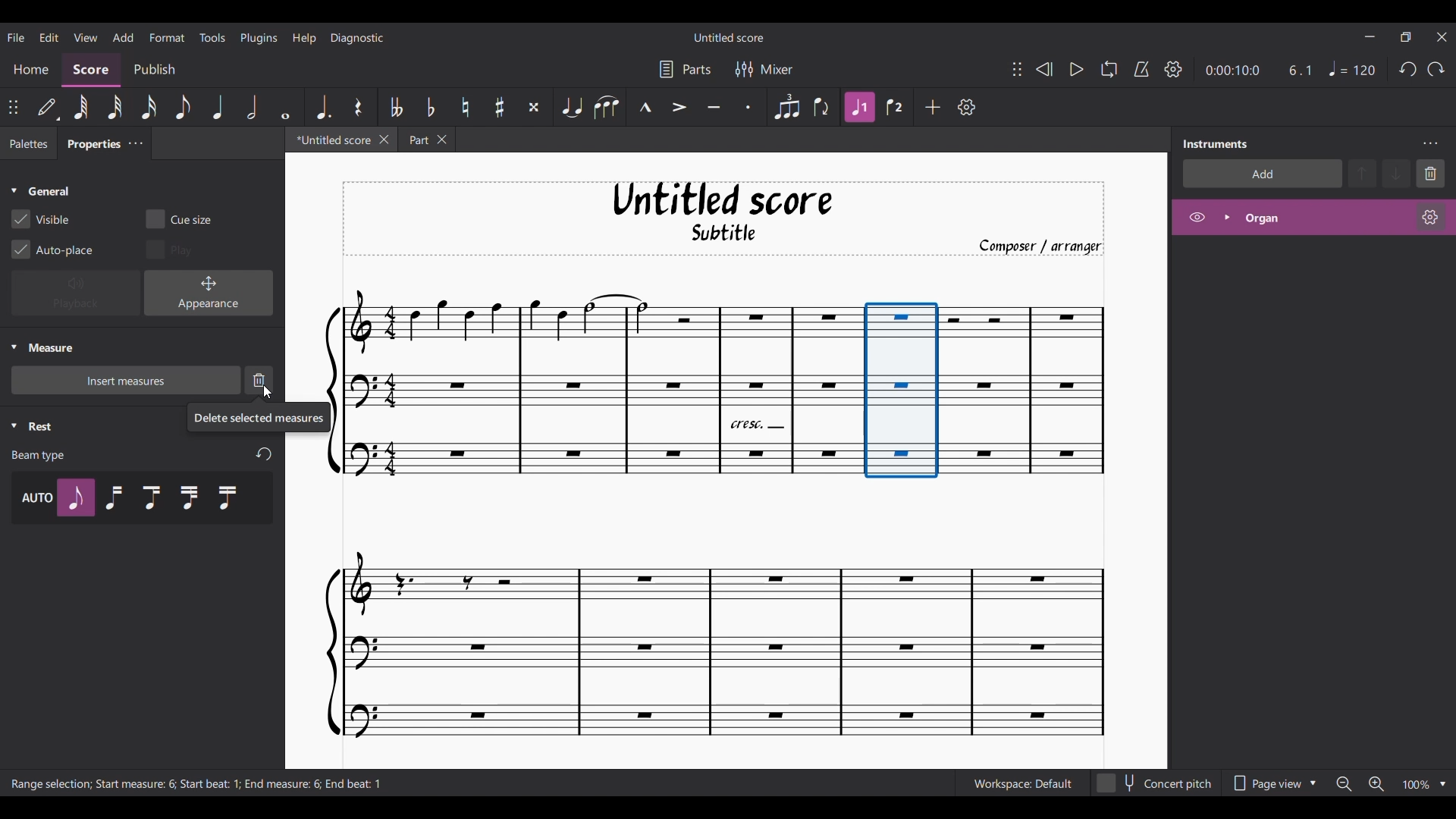 The height and width of the screenshot is (819, 1456). What do you see at coordinates (149, 108) in the screenshot?
I see `16th note` at bounding box center [149, 108].